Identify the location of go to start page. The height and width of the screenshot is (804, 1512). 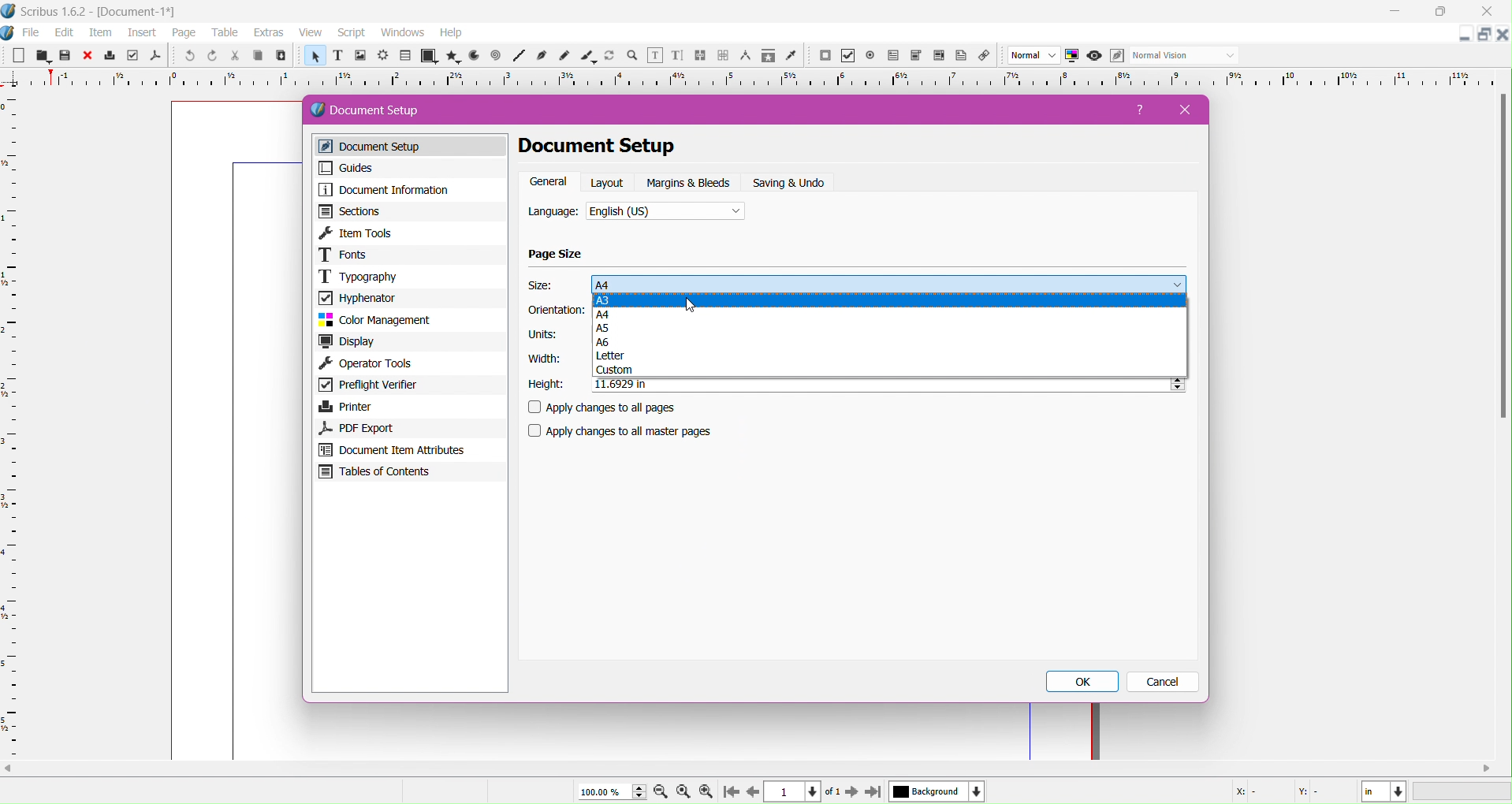
(729, 793).